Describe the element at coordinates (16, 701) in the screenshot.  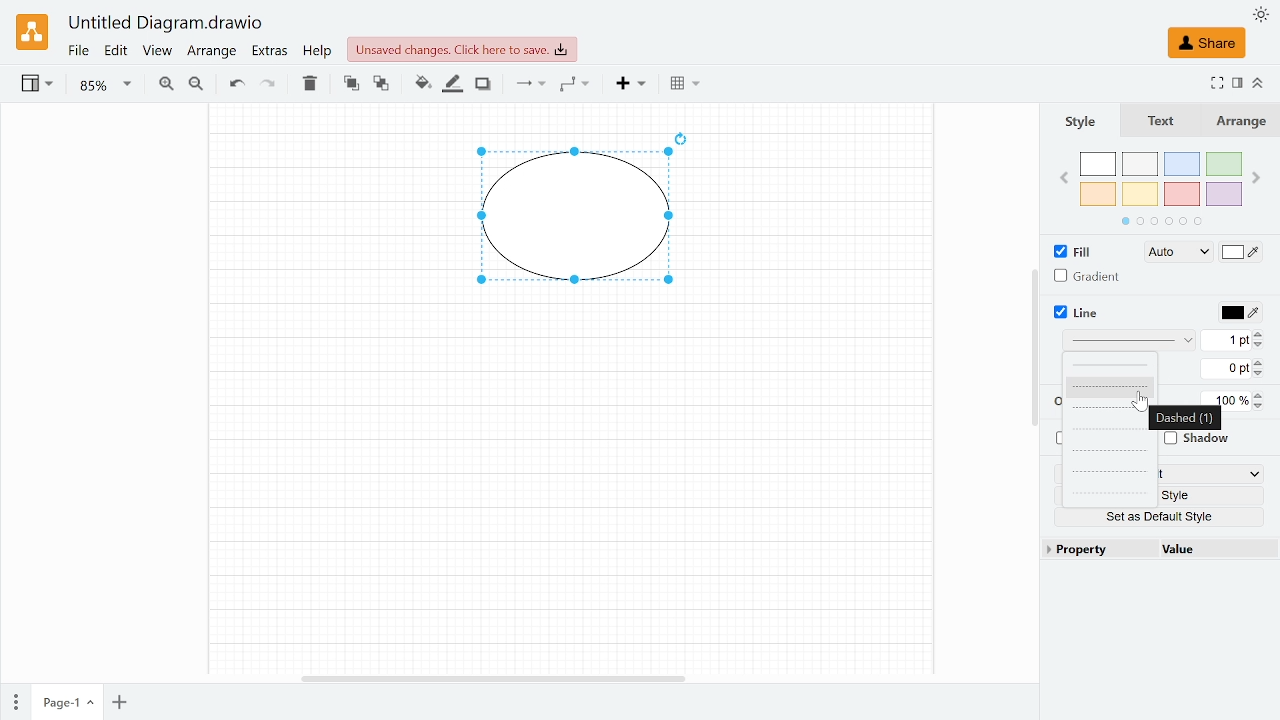
I see `Pages` at that location.